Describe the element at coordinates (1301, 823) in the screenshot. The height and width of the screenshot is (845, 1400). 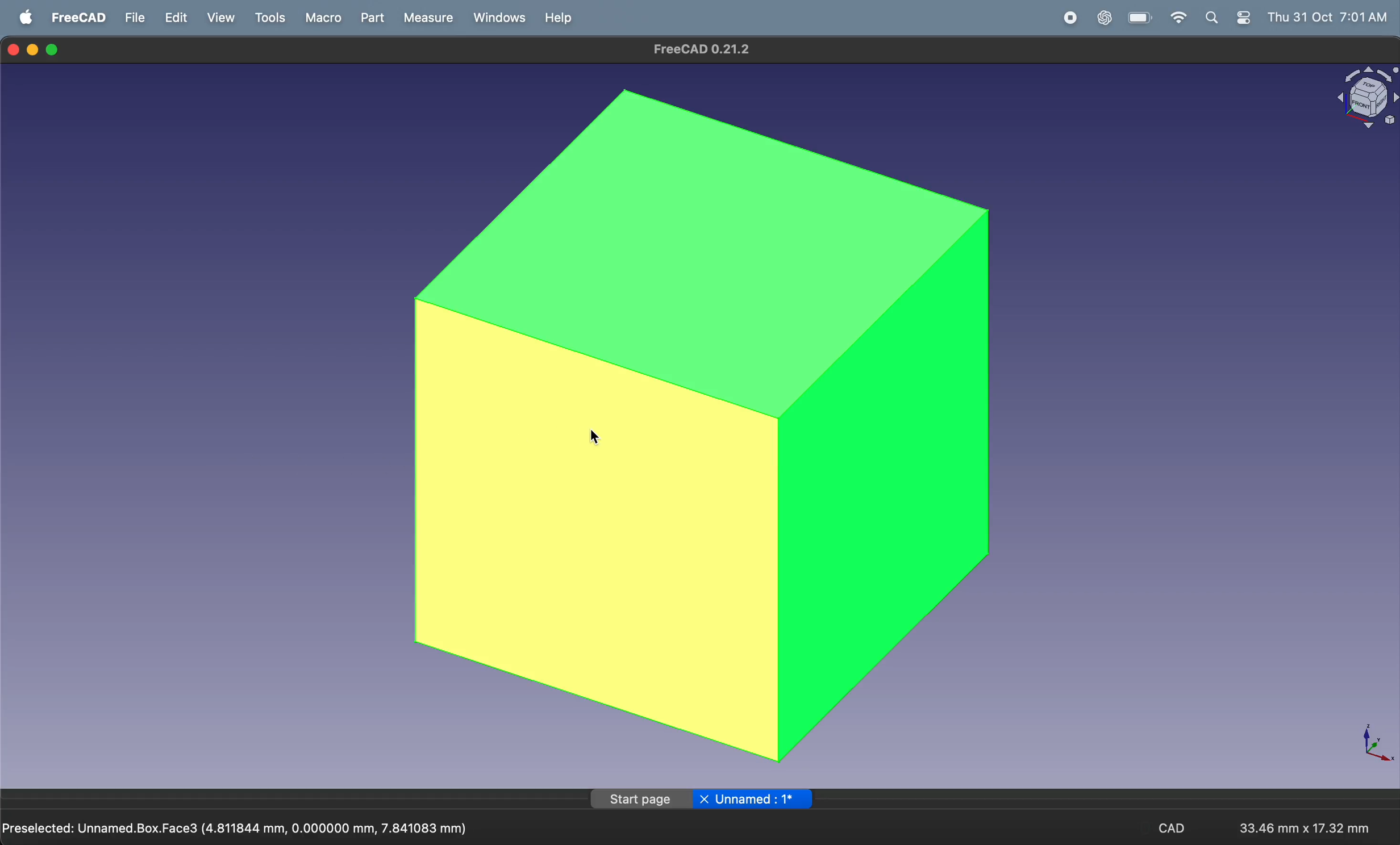
I see `aspect ratio` at that location.